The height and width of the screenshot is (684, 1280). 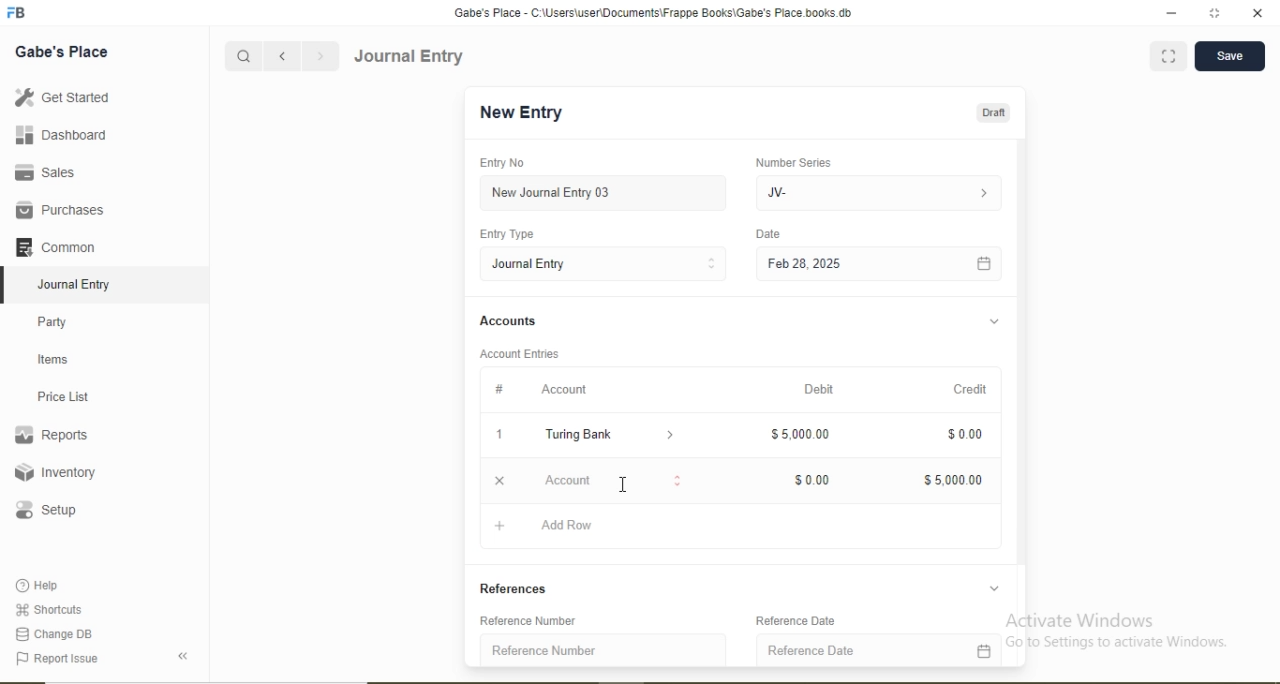 What do you see at coordinates (970, 389) in the screenshot?
I see `Credit` at bounding box center [970, 389].